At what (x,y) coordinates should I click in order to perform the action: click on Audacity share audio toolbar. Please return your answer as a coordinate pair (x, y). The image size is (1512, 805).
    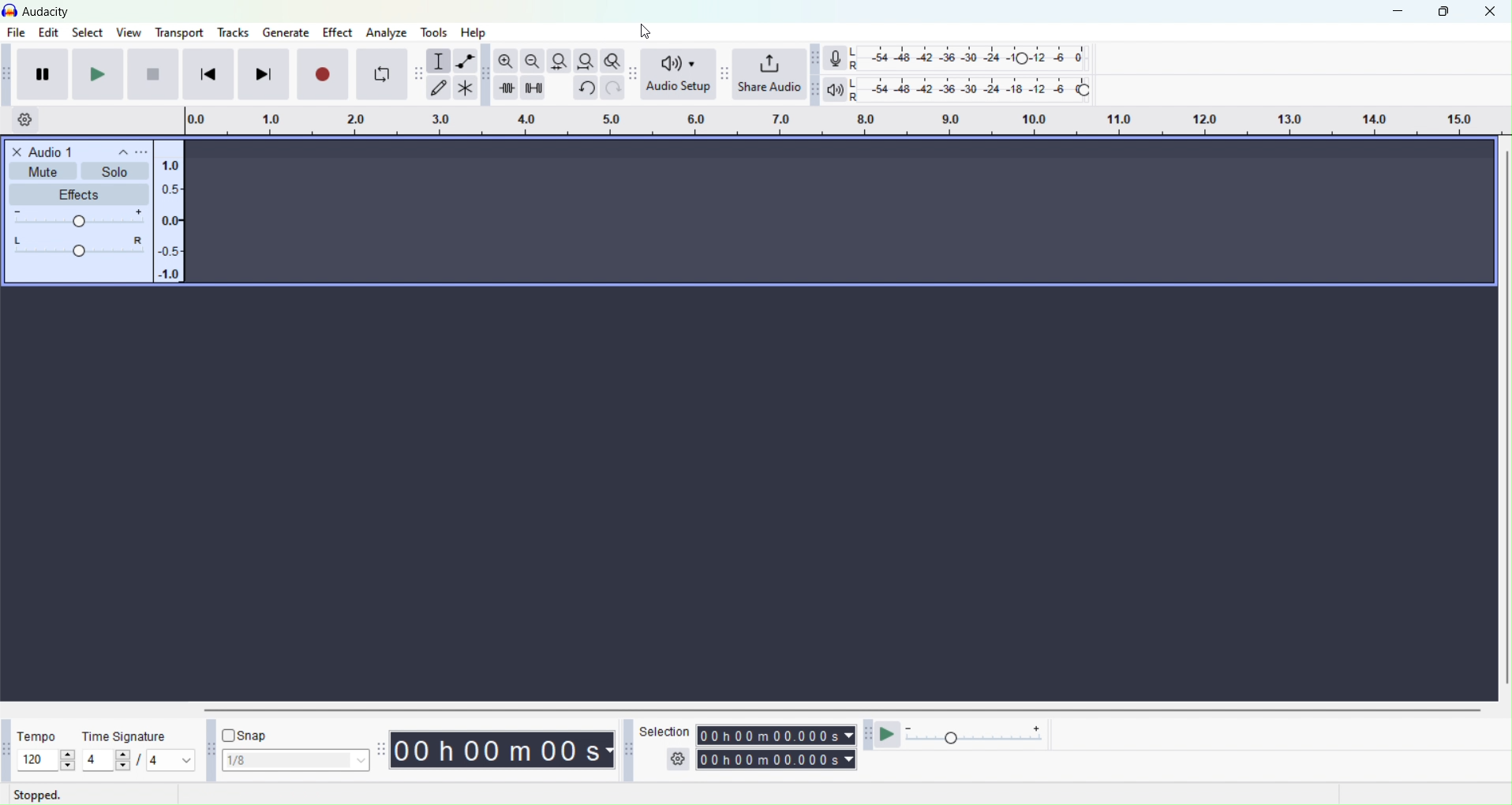
    Looking at the image, I should click on (724, 75).